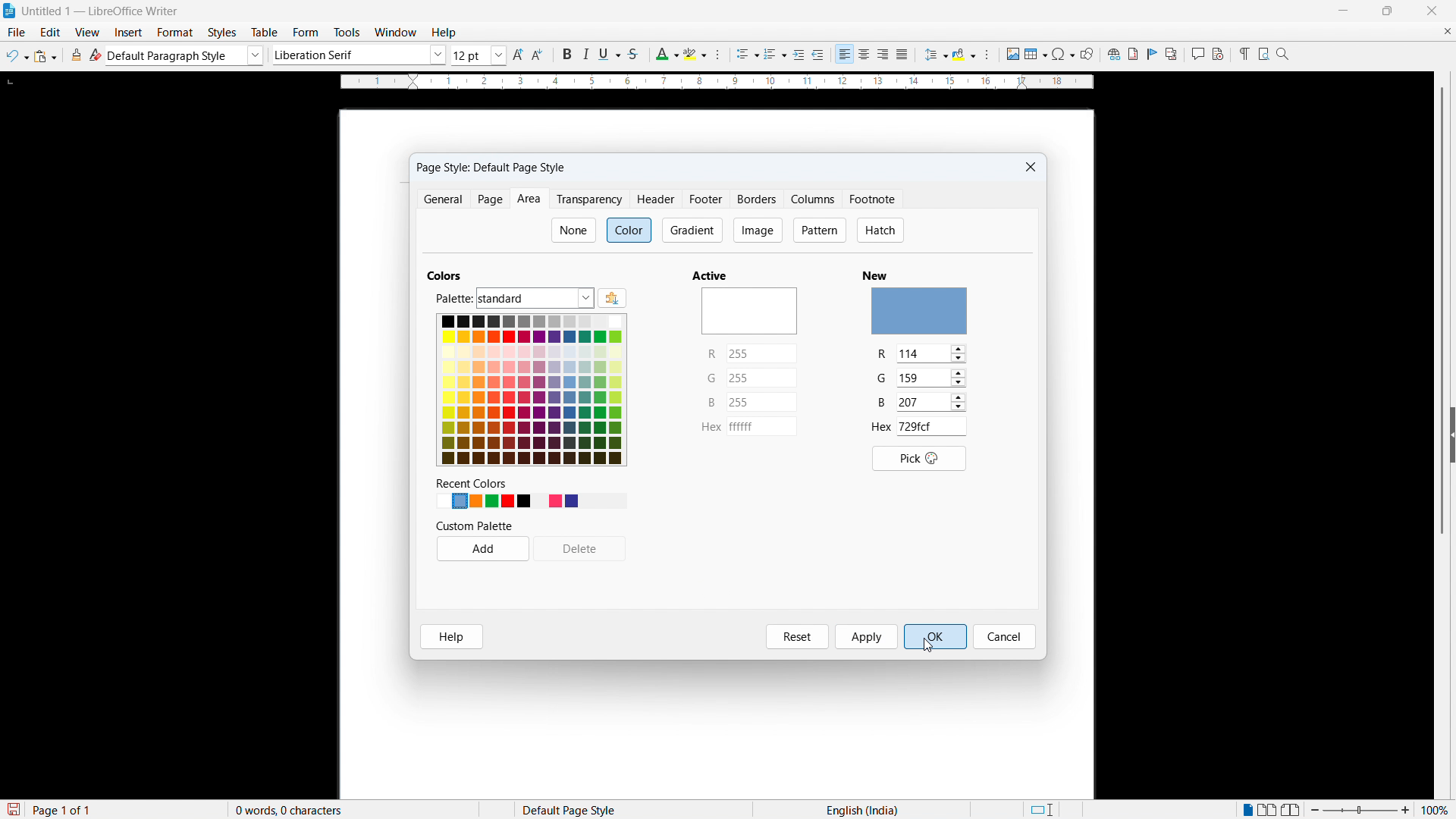 The width and height of the screenshot is (1456, 819). I want to click on Set font , so click(359, 55).